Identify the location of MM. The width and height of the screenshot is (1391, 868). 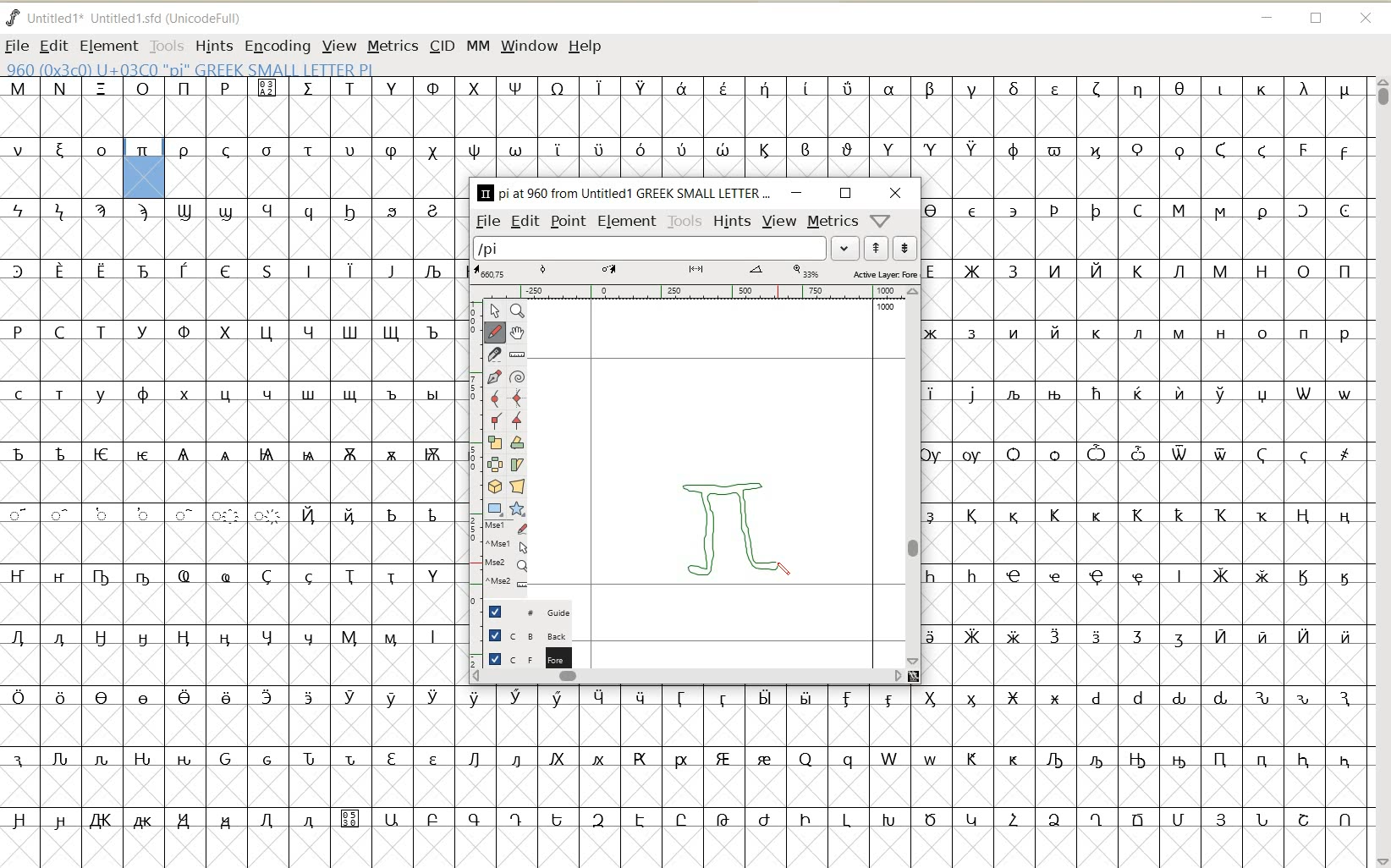
(477, 45).